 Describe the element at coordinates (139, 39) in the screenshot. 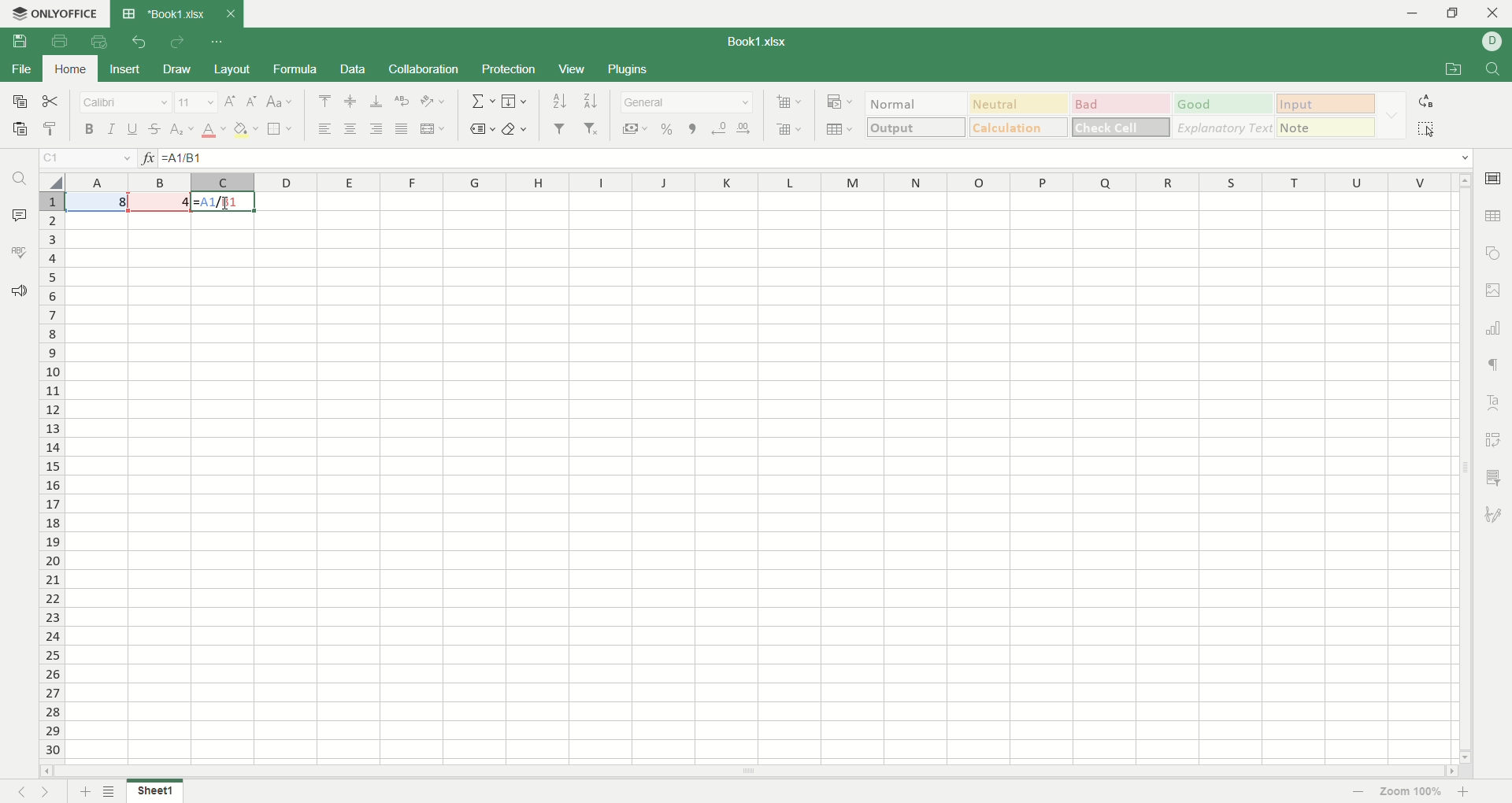

I see `undo` at that location.